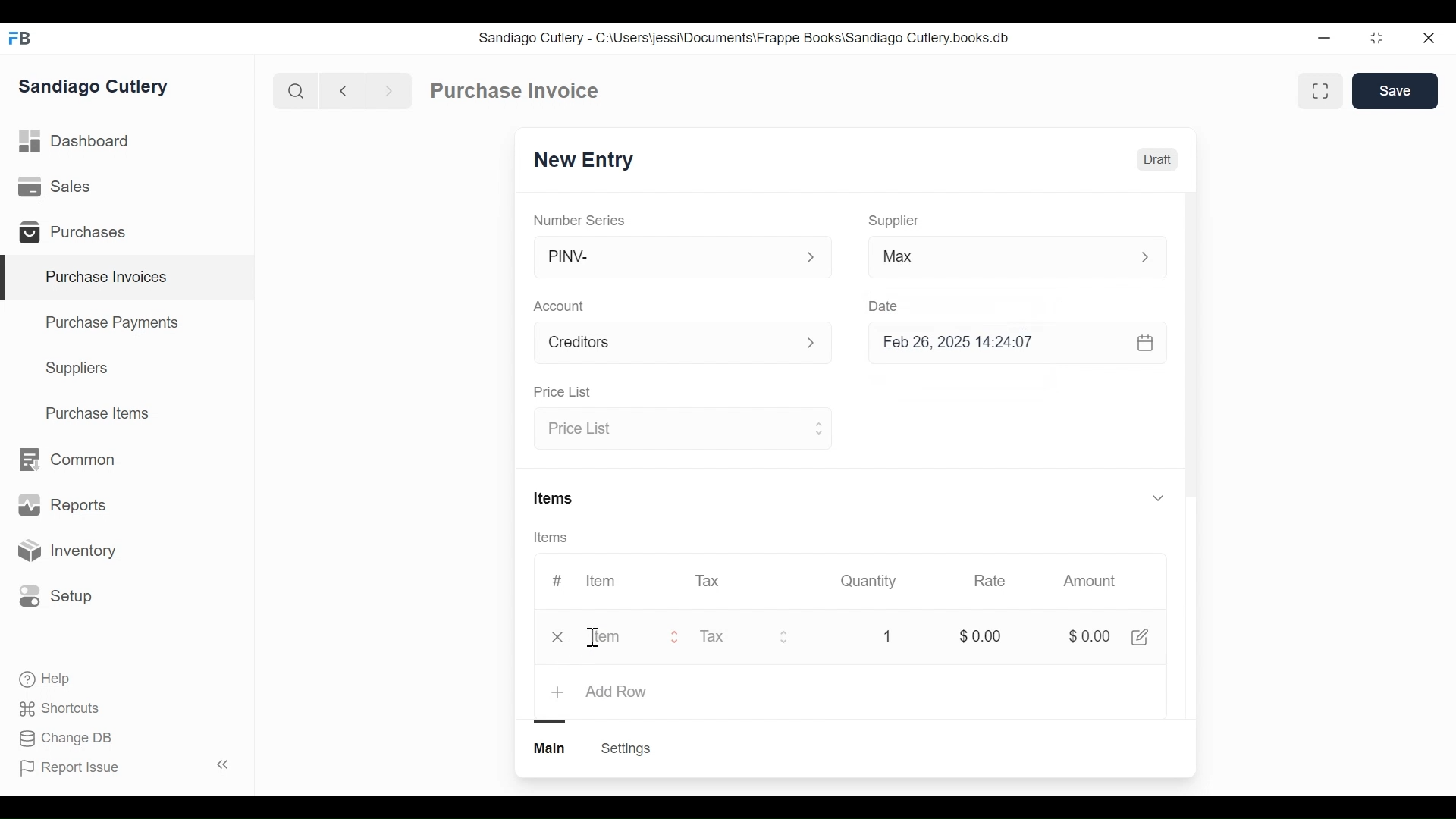  What do you see at coordinates (96, 88) in the screenshot?
I see `Sandiago Cutlery` at bounding box center [96, 88].